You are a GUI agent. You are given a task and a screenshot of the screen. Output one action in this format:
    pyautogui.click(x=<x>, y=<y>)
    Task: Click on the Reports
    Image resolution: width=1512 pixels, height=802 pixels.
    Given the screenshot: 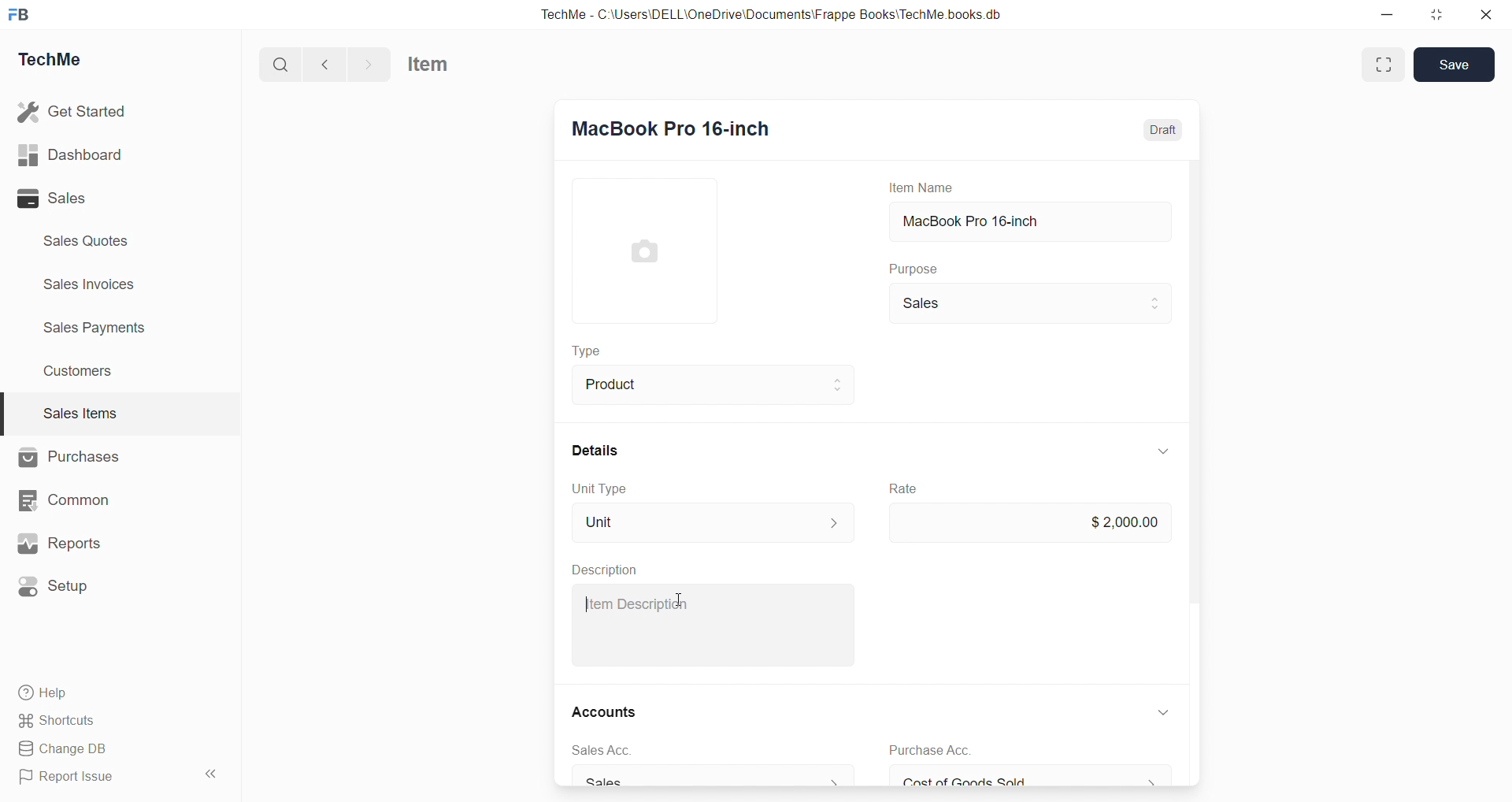 What is the action you would take?
    pyautogui.click(x=61, y=543)
    